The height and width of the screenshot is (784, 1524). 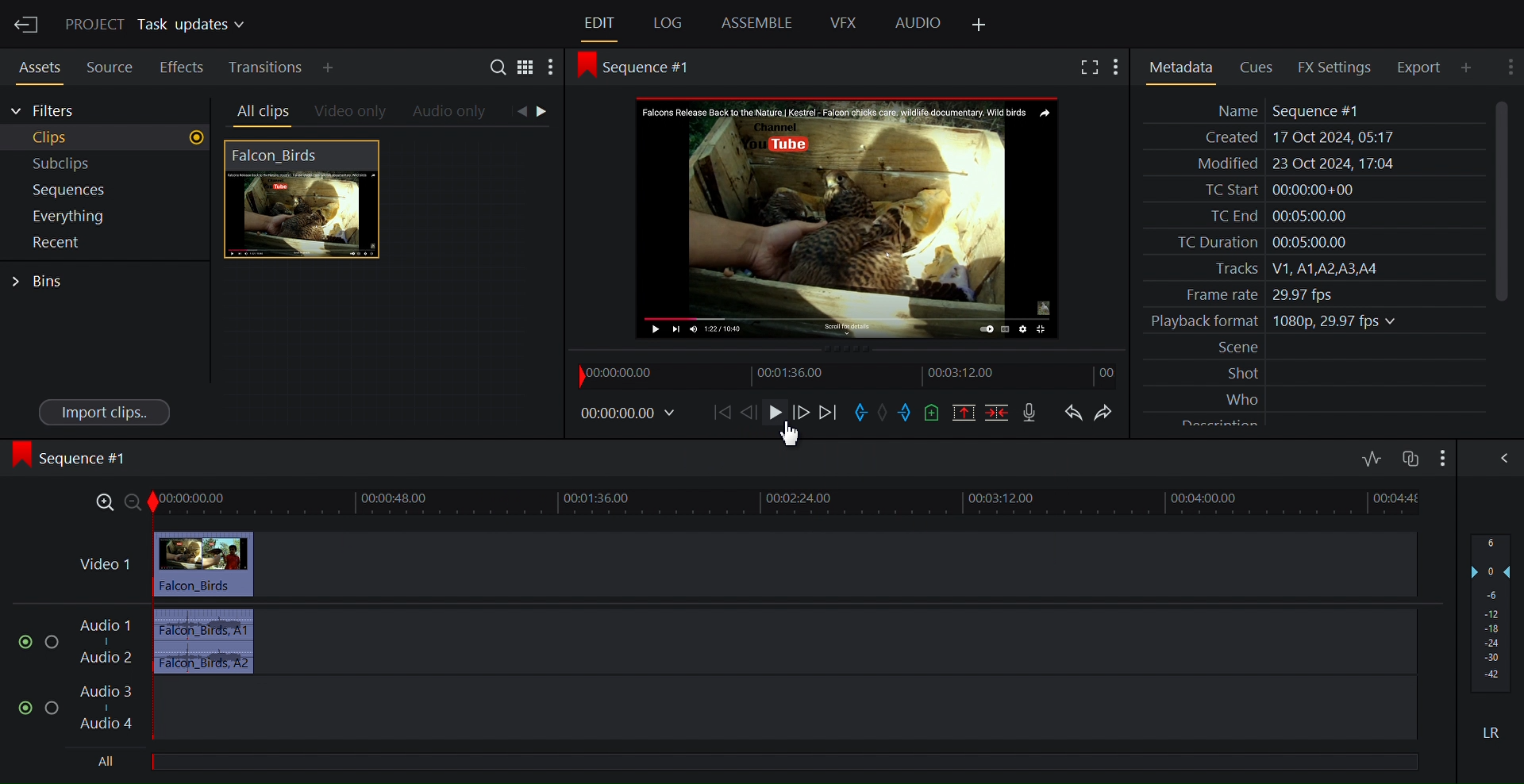 What do you see at coordinates (1372, 456) in the screenshot?
I see `Toggle audio levels editing` at bounding box center [1372, 456].